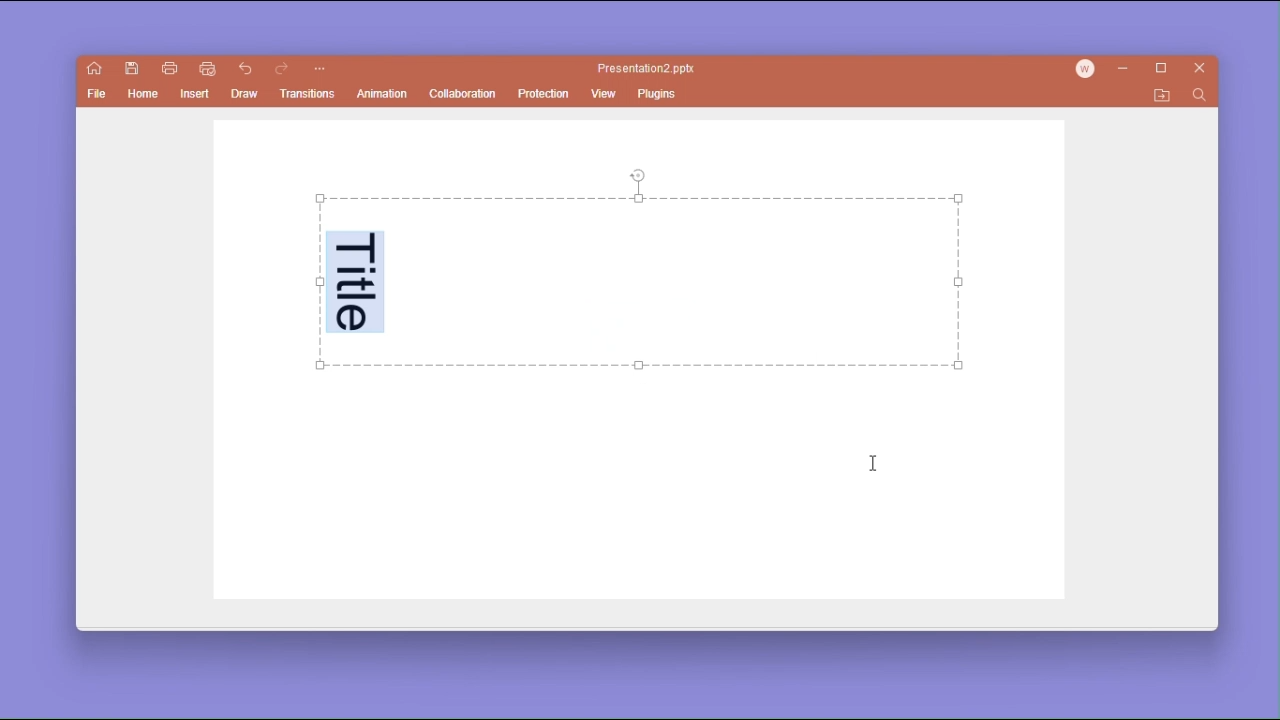 The height and width of the screenshot is (720, 1280). Describe the element at coordinates (169, 67) in the screenshot. I see `print file` at that location.